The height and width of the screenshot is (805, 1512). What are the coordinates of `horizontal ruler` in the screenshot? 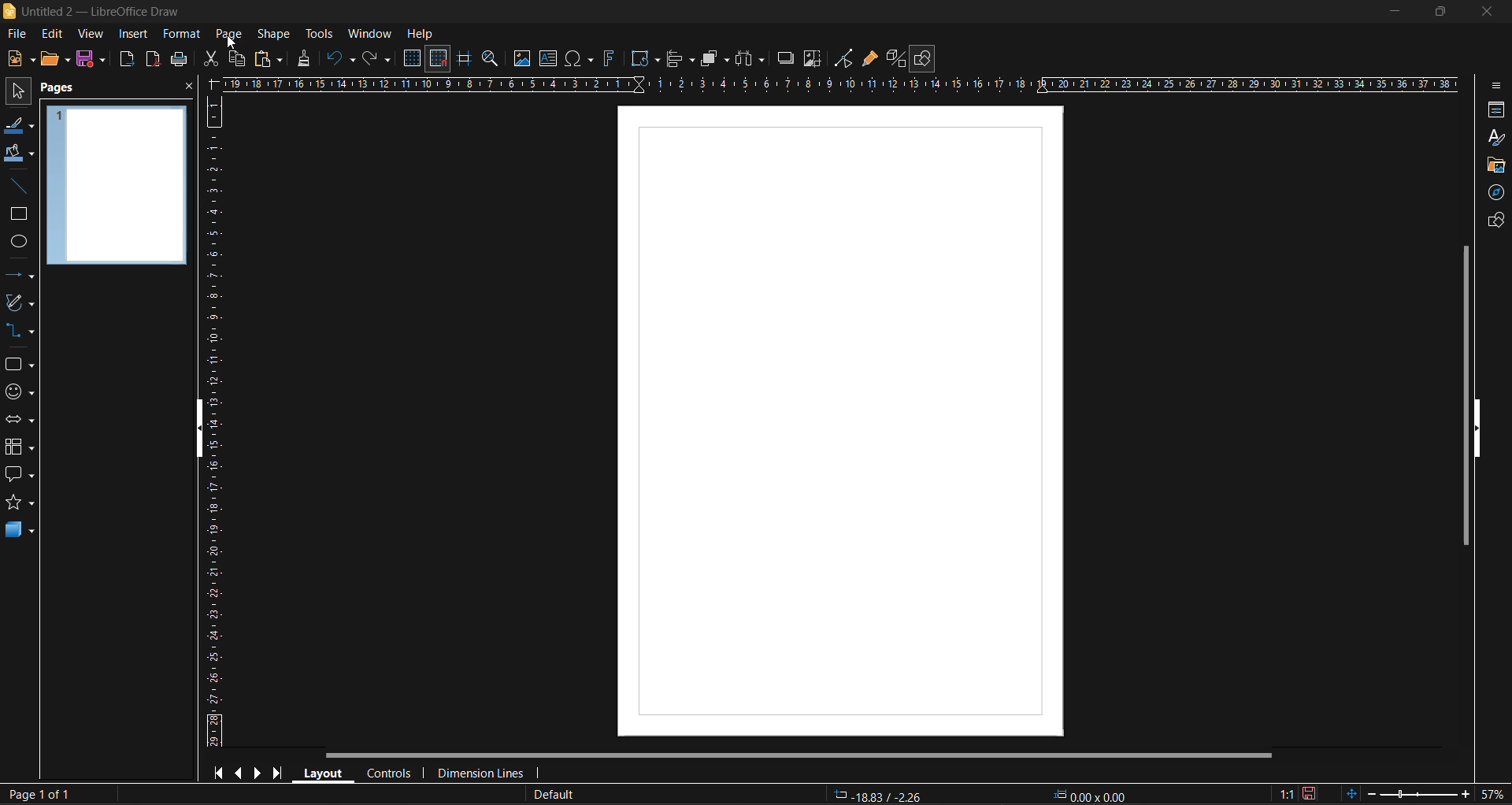 It's located at (845, 83).